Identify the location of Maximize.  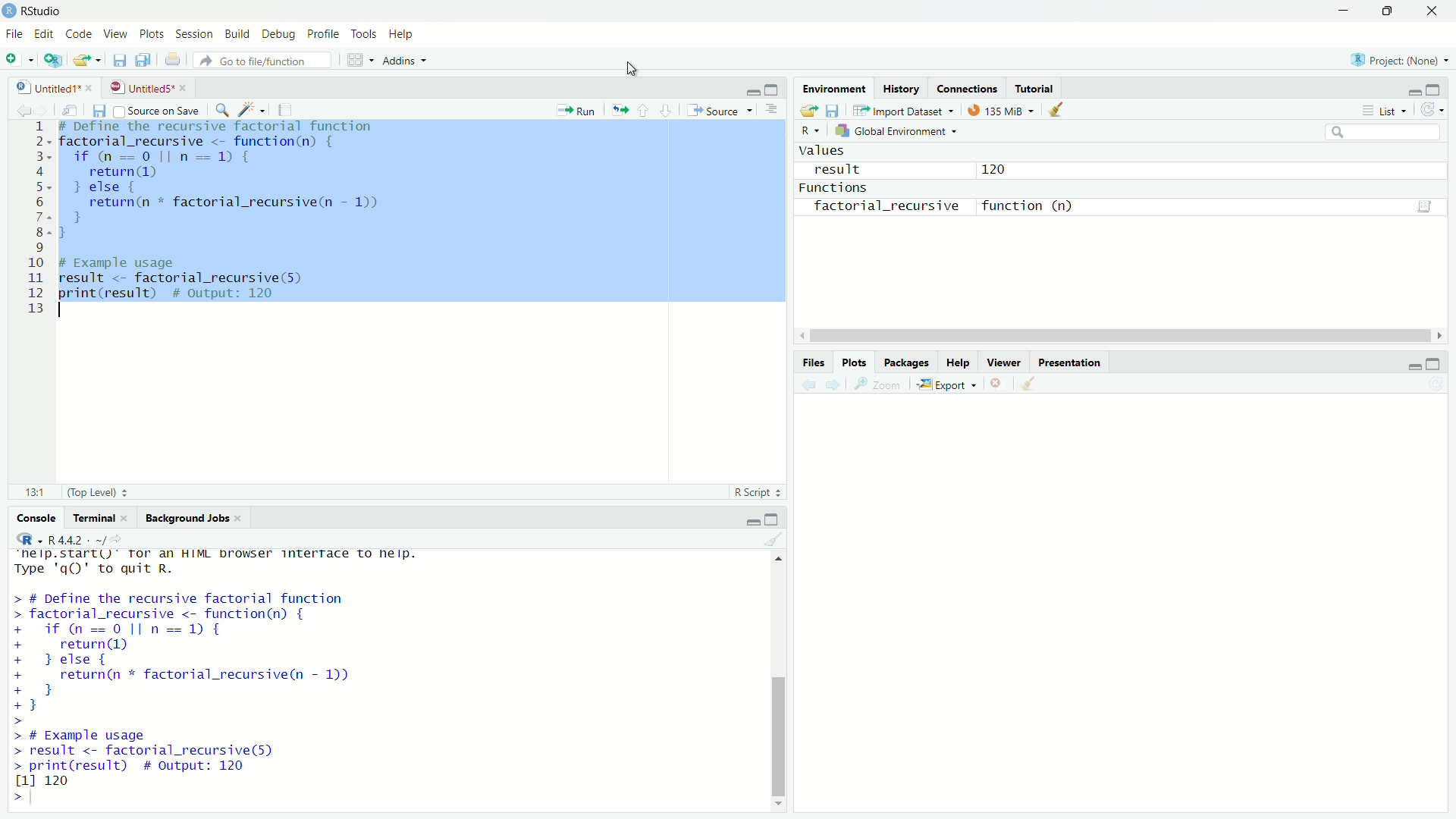
(1436, 89).